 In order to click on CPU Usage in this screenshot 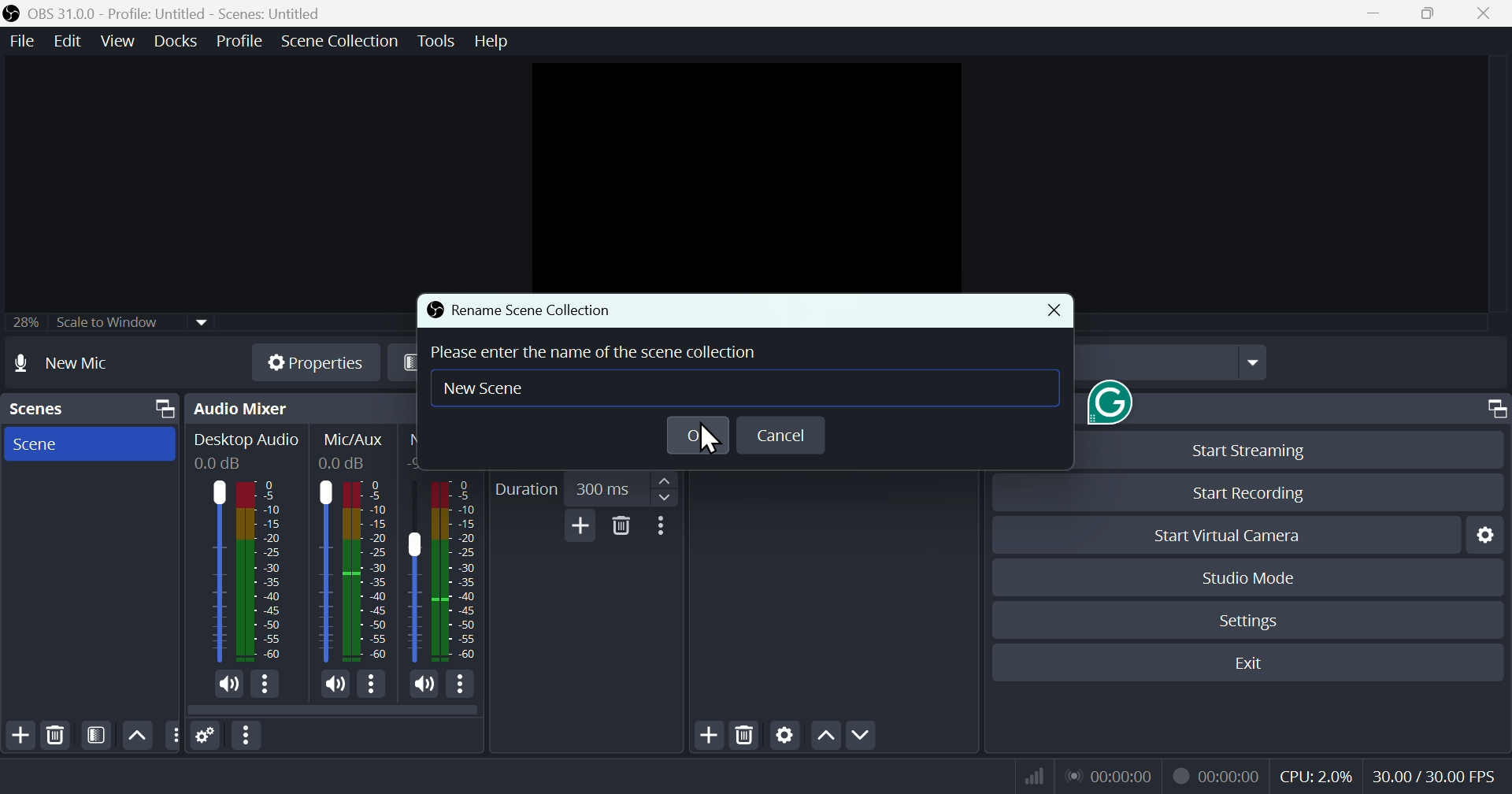, I will do `click(1318, 777)`.